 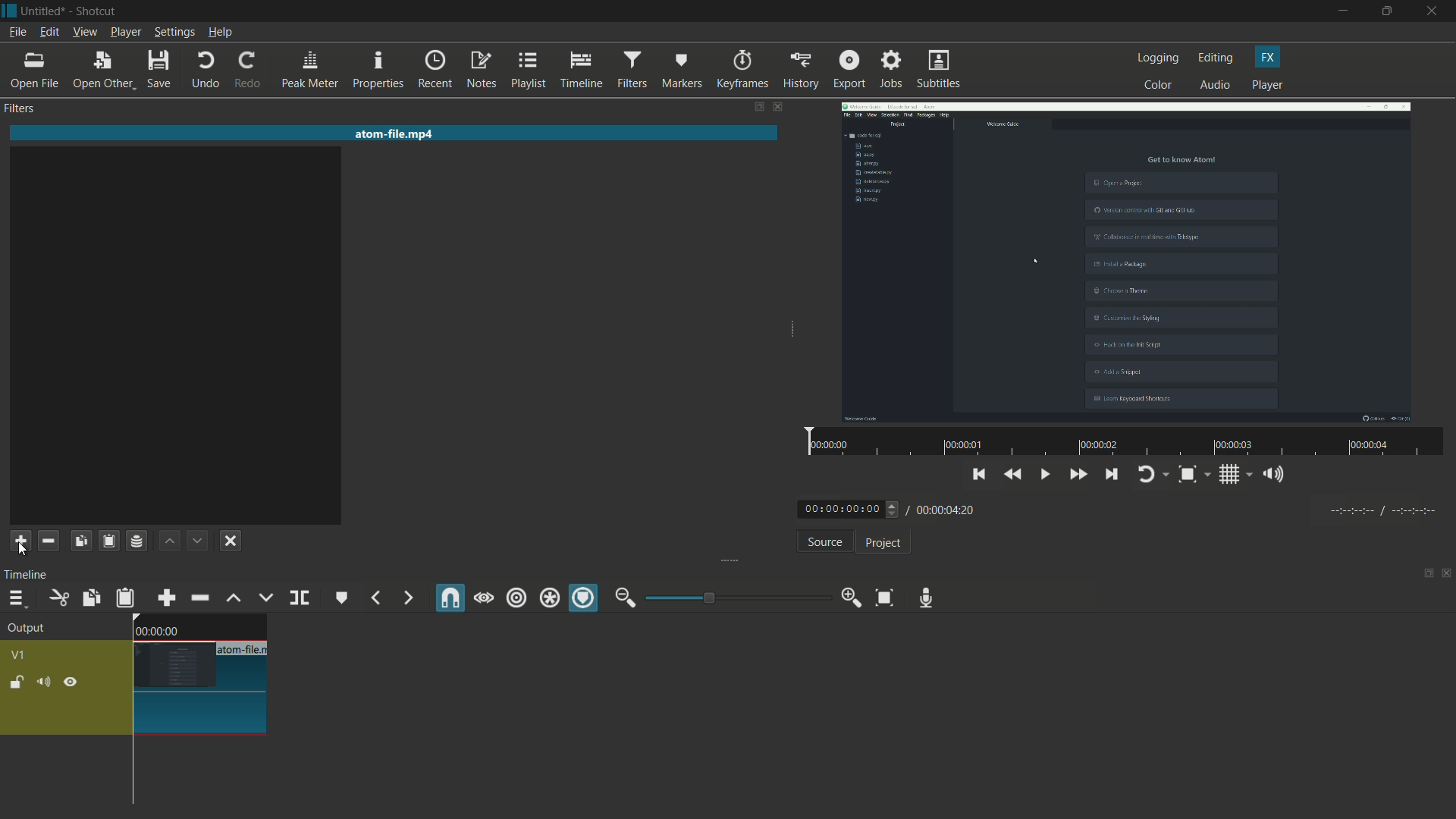 I want to click on toggle play/pause, so click(x=1047, y=475).